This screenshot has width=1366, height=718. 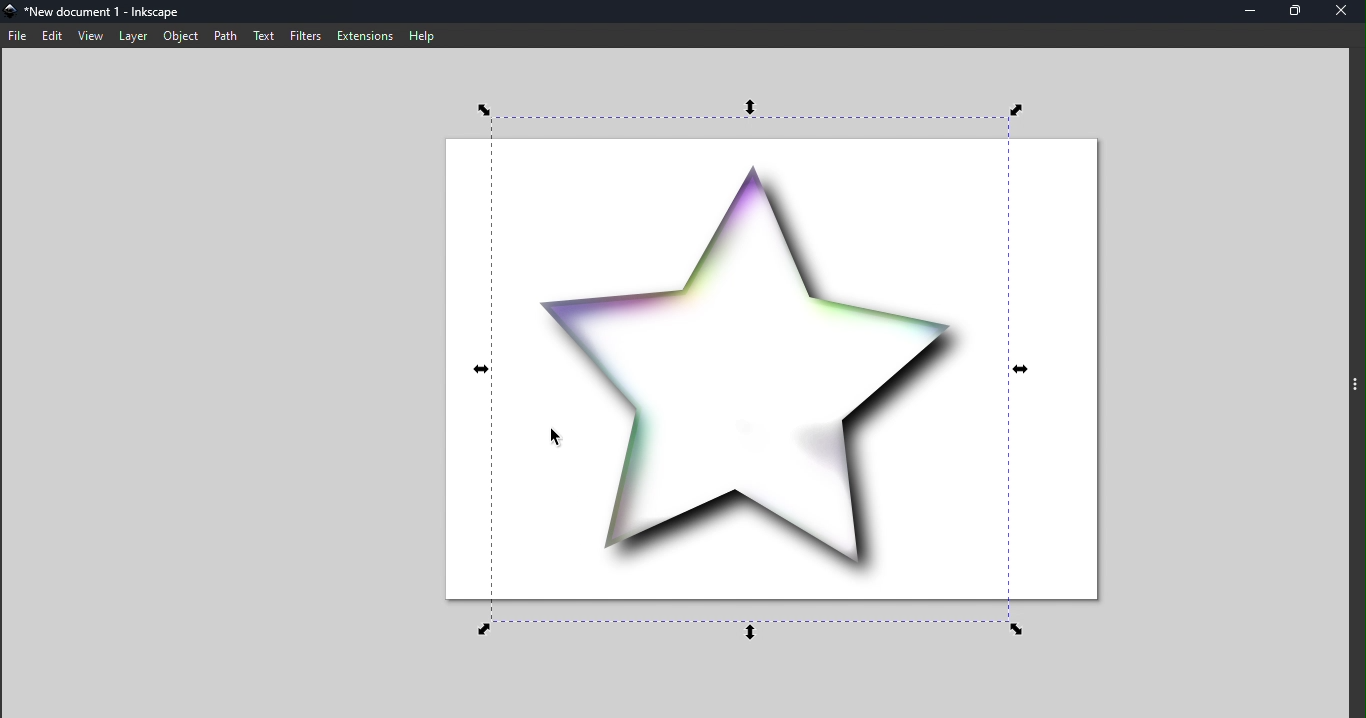 What do you see at coordinates (1245, 12) in the screenshot?
I see `Minimize` at bounding box center [1245, 12].